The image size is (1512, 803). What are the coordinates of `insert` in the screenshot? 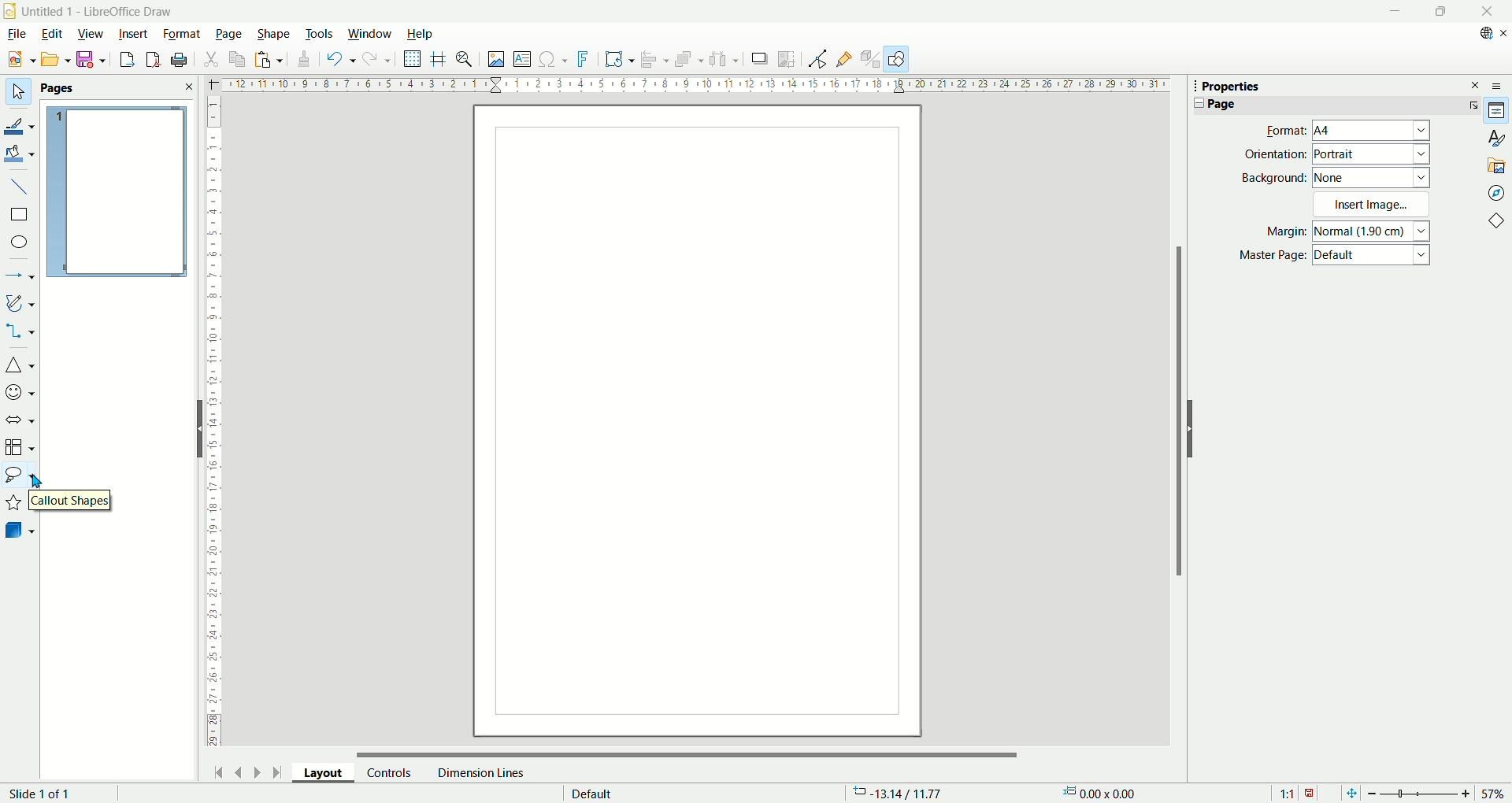 It's located at (134, 32).